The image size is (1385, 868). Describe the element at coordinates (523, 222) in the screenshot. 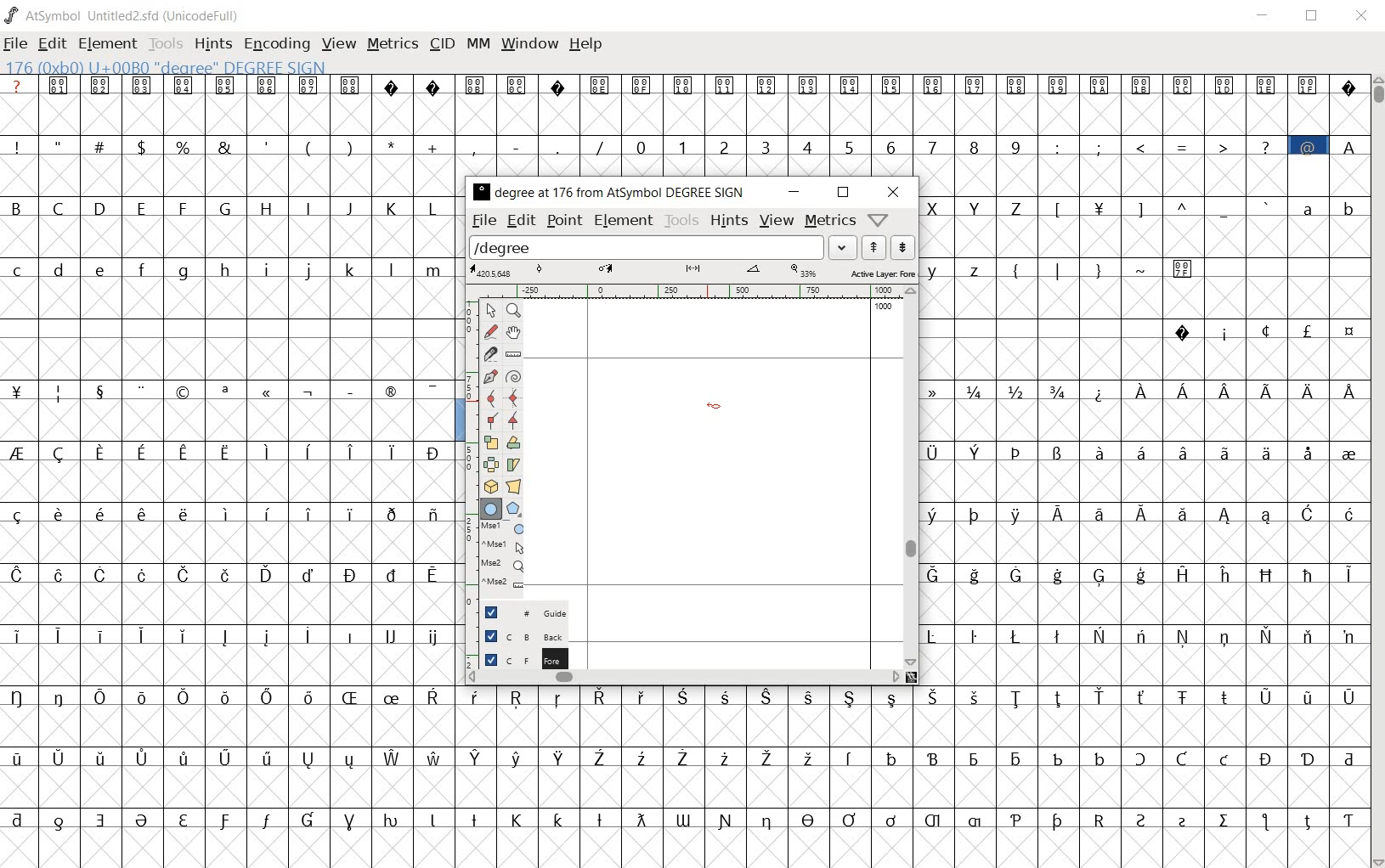

I see `edit` at that location.